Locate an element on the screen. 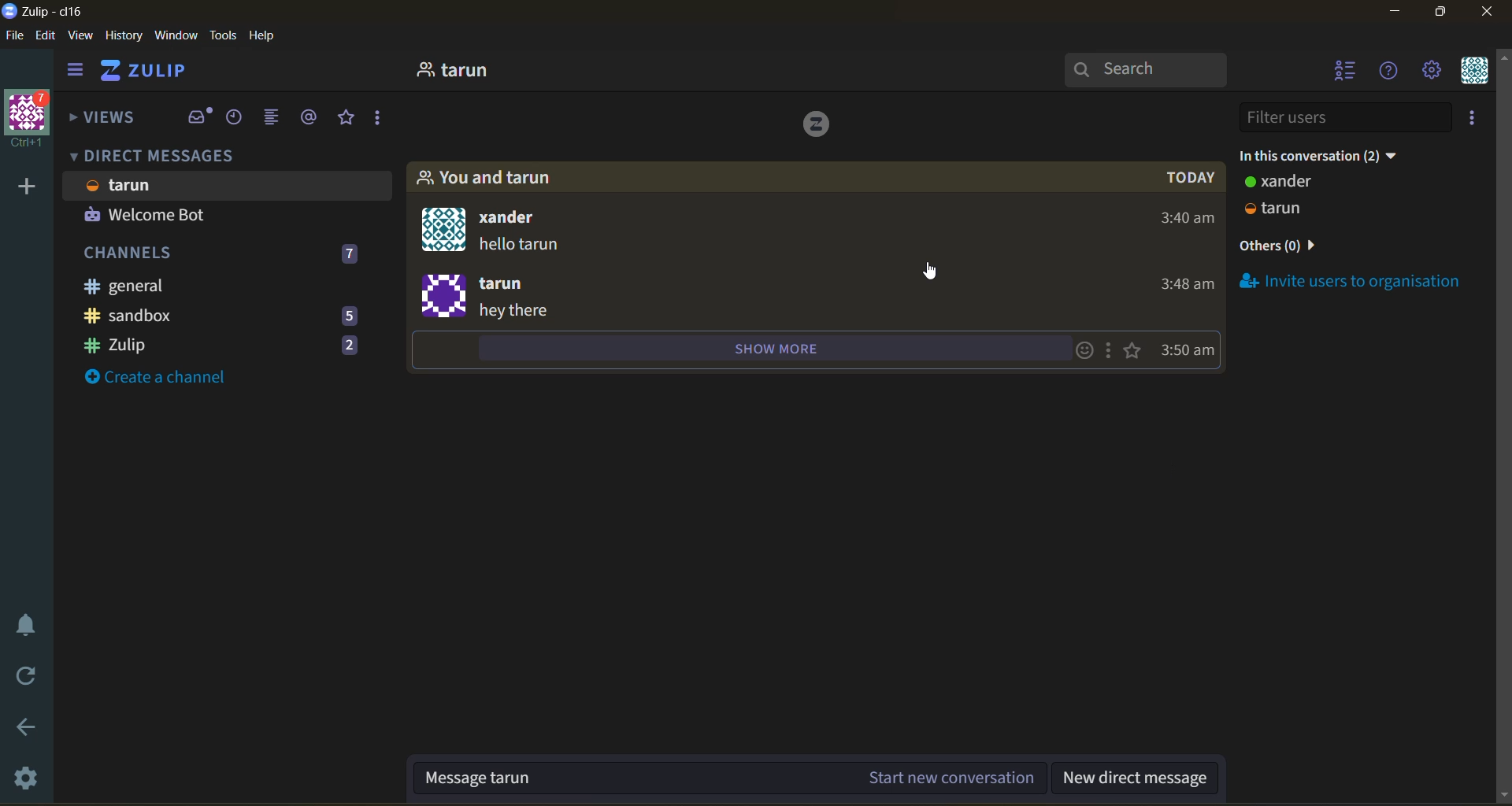 The width and height of the screenshot is (1512, 806). home view is located at coordinates (166, 72).